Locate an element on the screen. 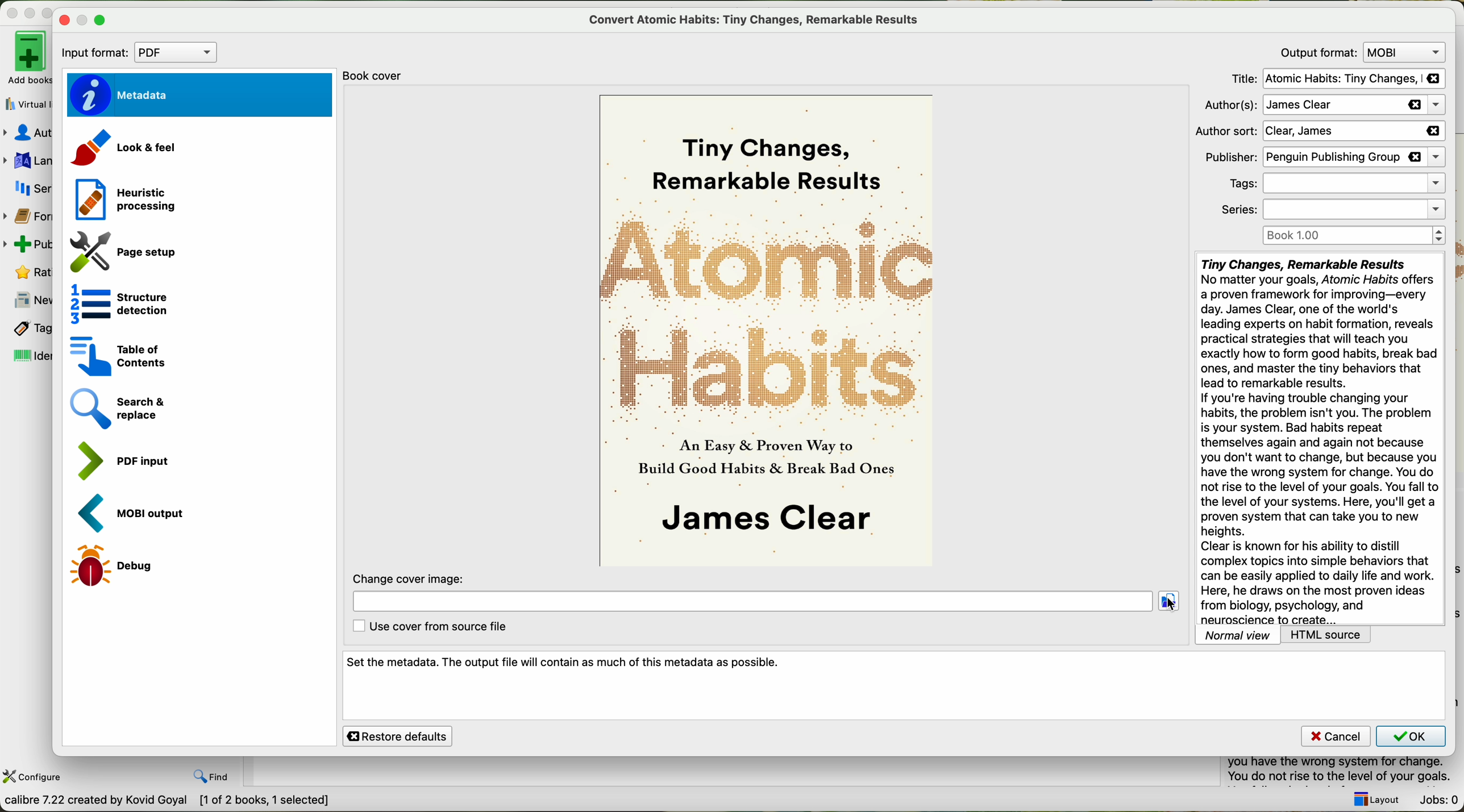  cancel button is located at coordinates (1335, 736).